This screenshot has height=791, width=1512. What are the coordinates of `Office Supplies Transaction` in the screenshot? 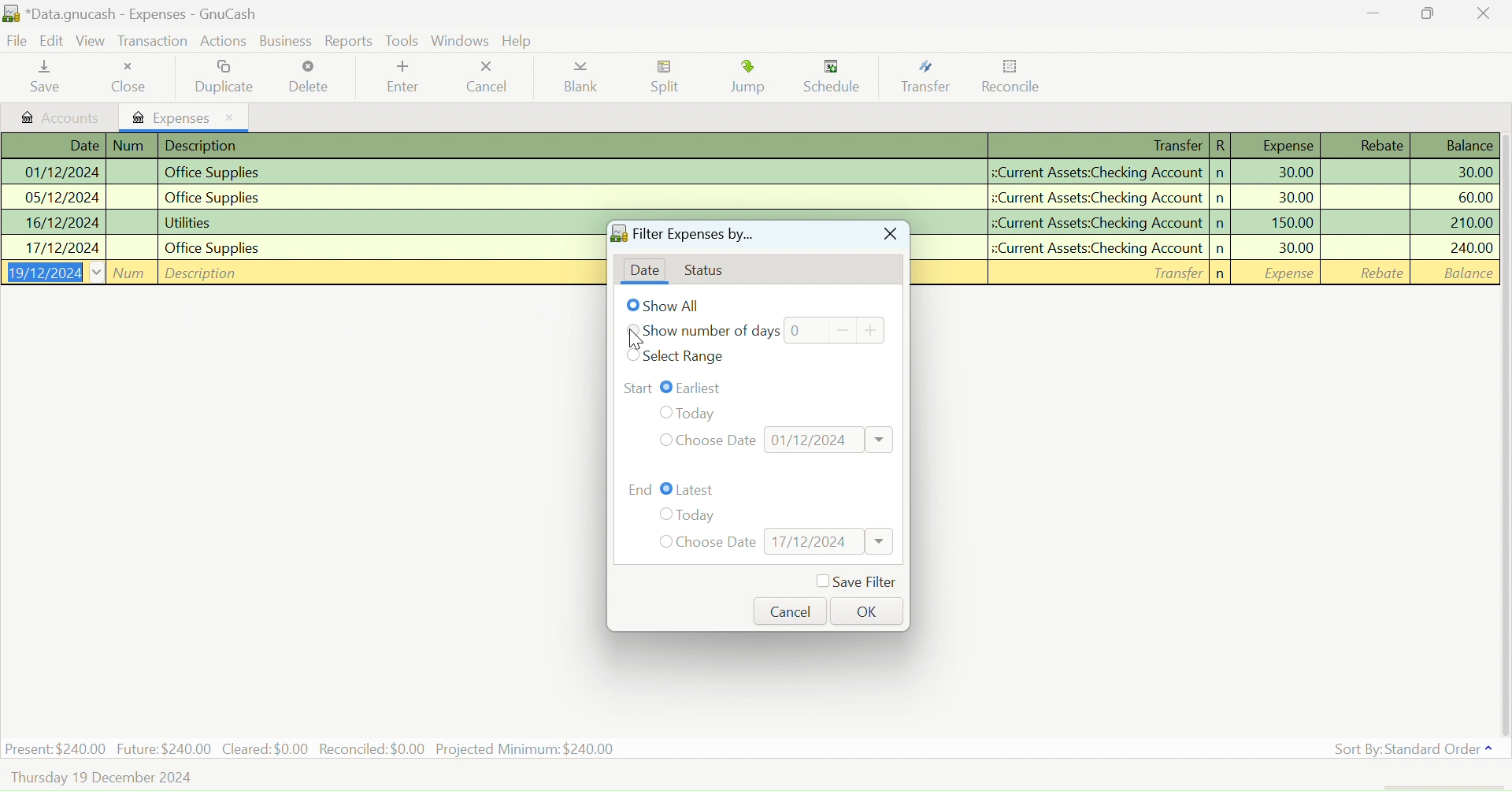 It's located at (747, 173).